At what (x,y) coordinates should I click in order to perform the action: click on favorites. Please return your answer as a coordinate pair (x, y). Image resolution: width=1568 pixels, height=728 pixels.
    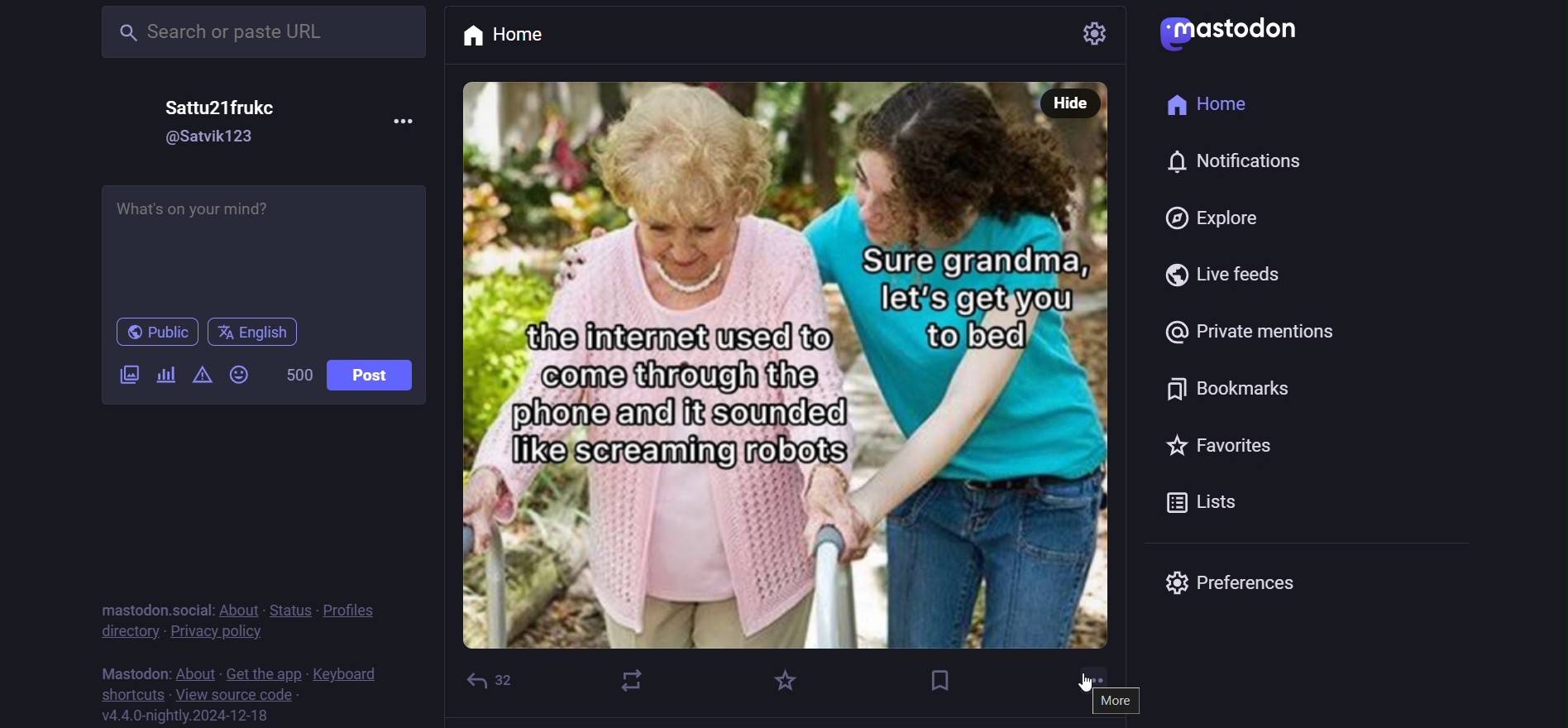
    Looking at the image, I should click on (1215, 439).